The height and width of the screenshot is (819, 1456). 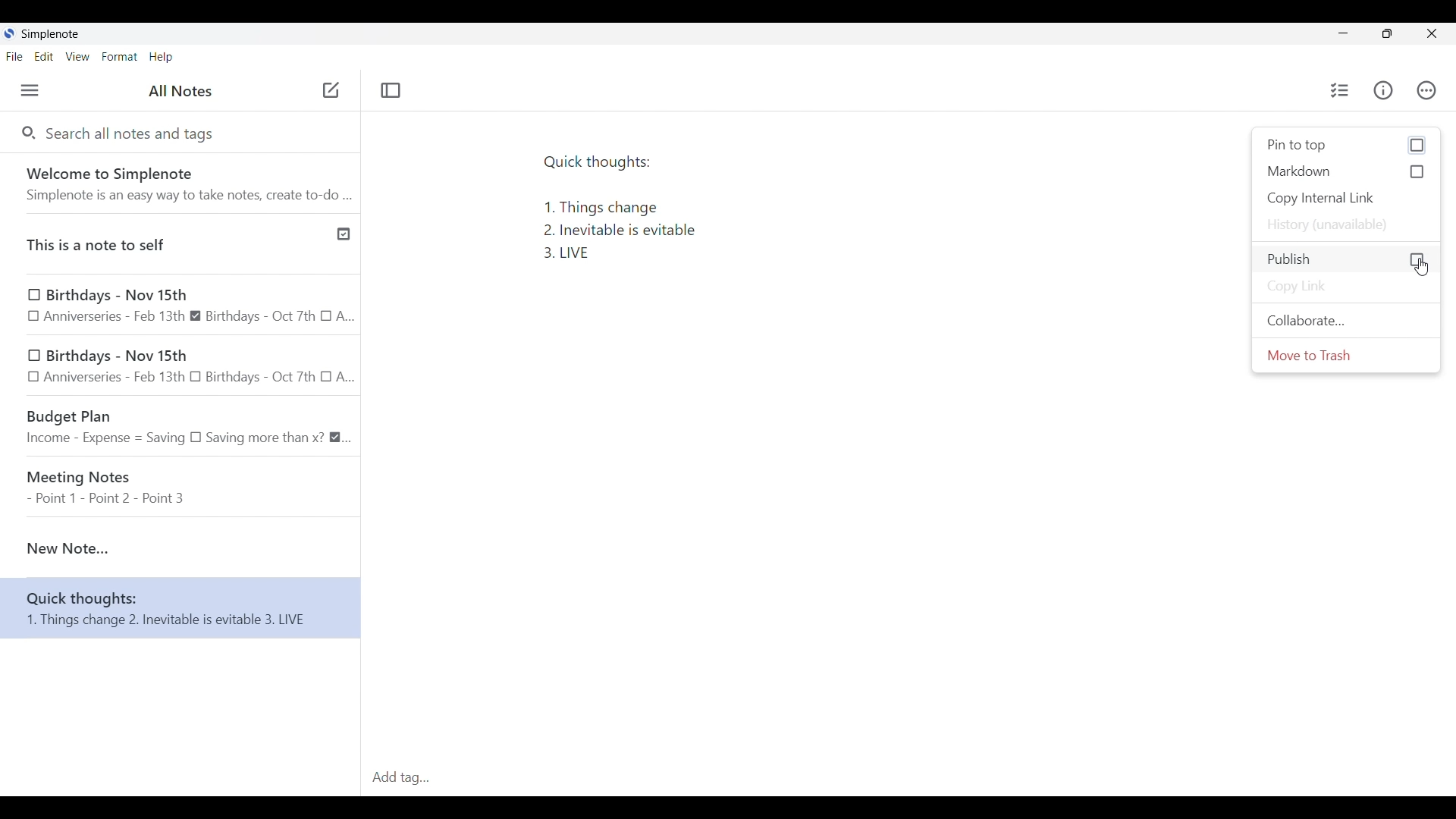 What do you see at coordinates (391, 90) in the screenshot?
I see `Toggle focus mode` at bounding box center [391, 90].